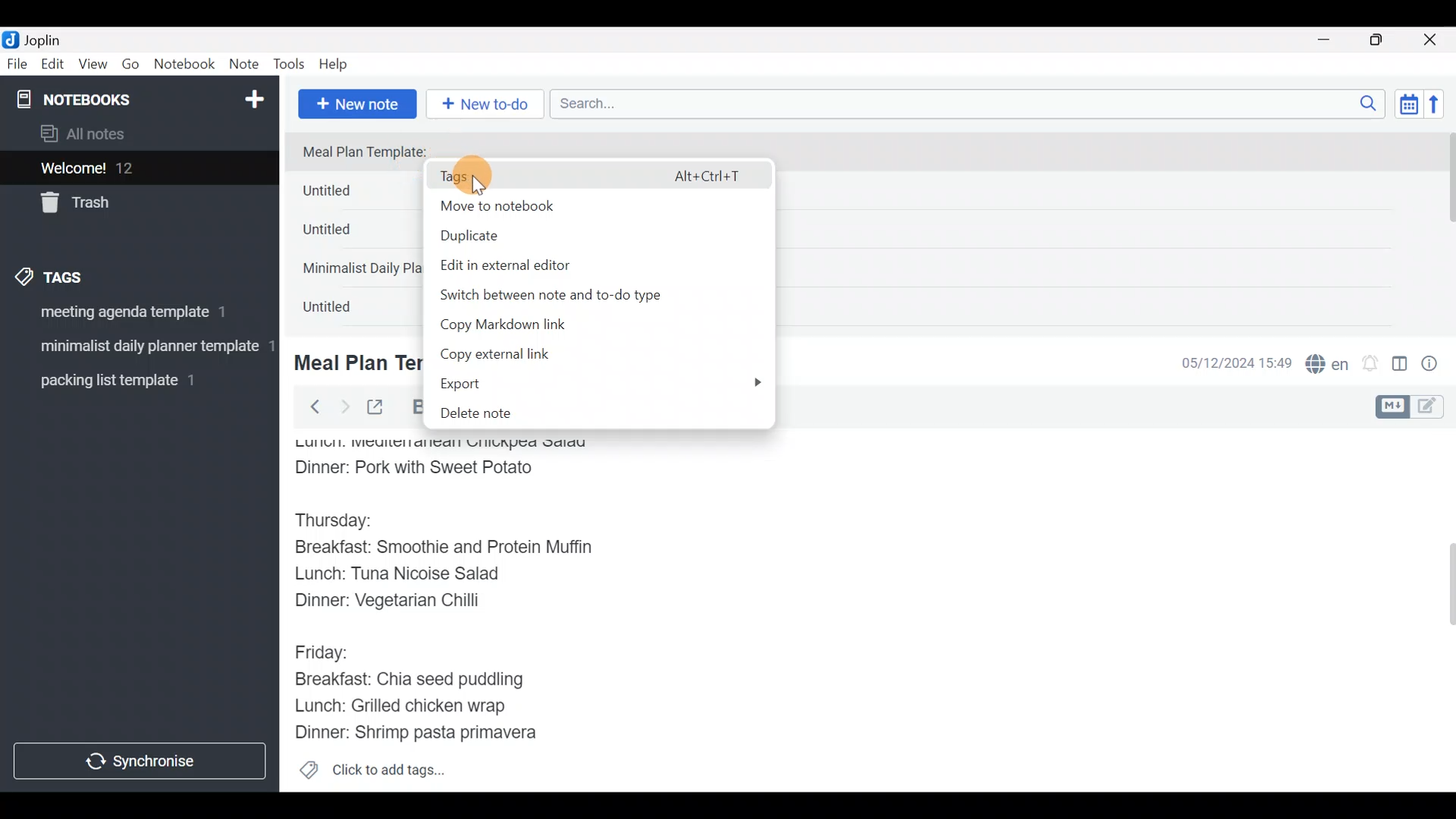 This screenshot has width=1456, height=819. What do you see at coordinates (52, 38) in the screenshot?
I see `Joplin` at bounding box center [52, 38].